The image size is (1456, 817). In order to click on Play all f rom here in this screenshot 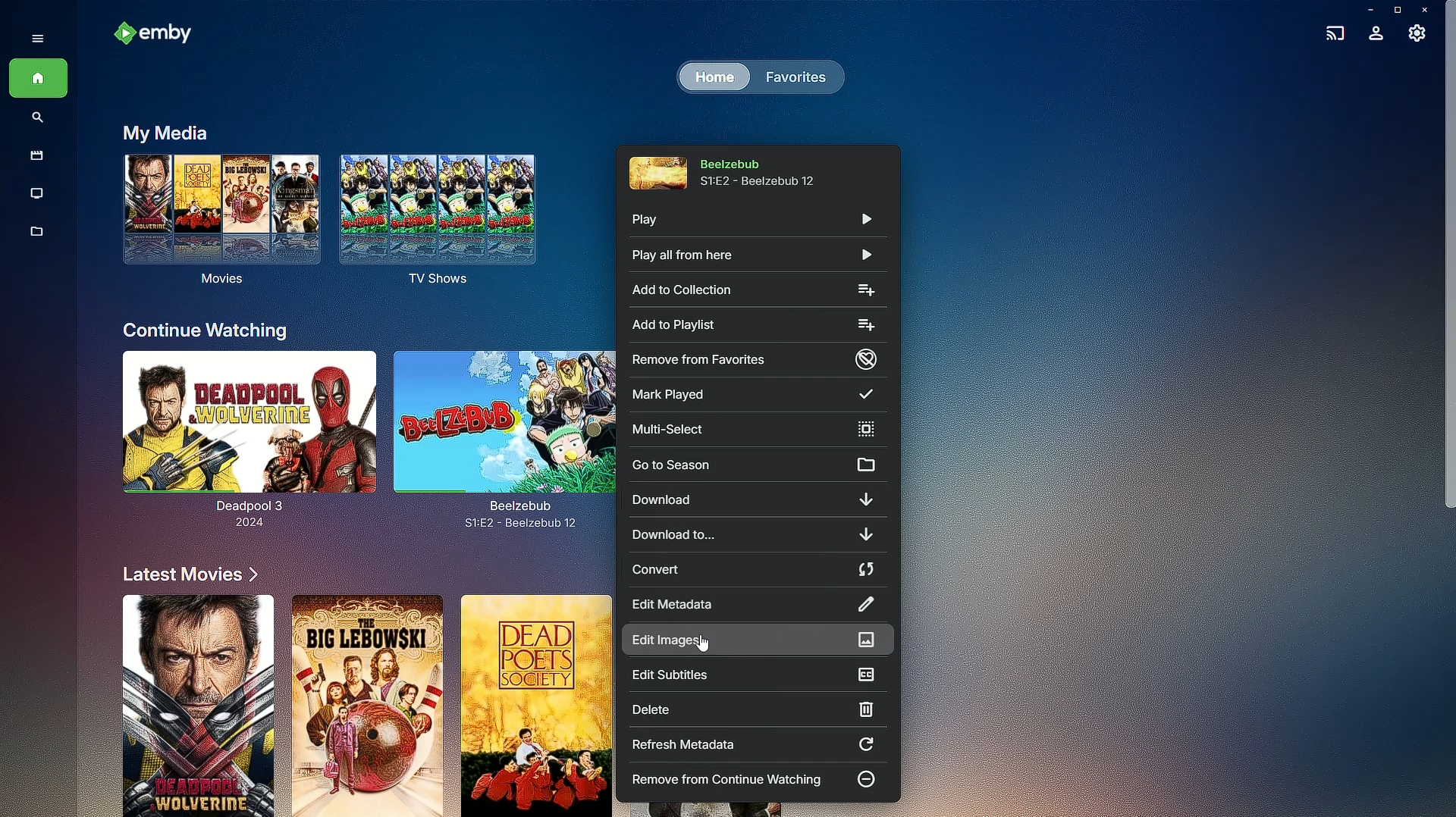, I will do `click(748, 255)`.